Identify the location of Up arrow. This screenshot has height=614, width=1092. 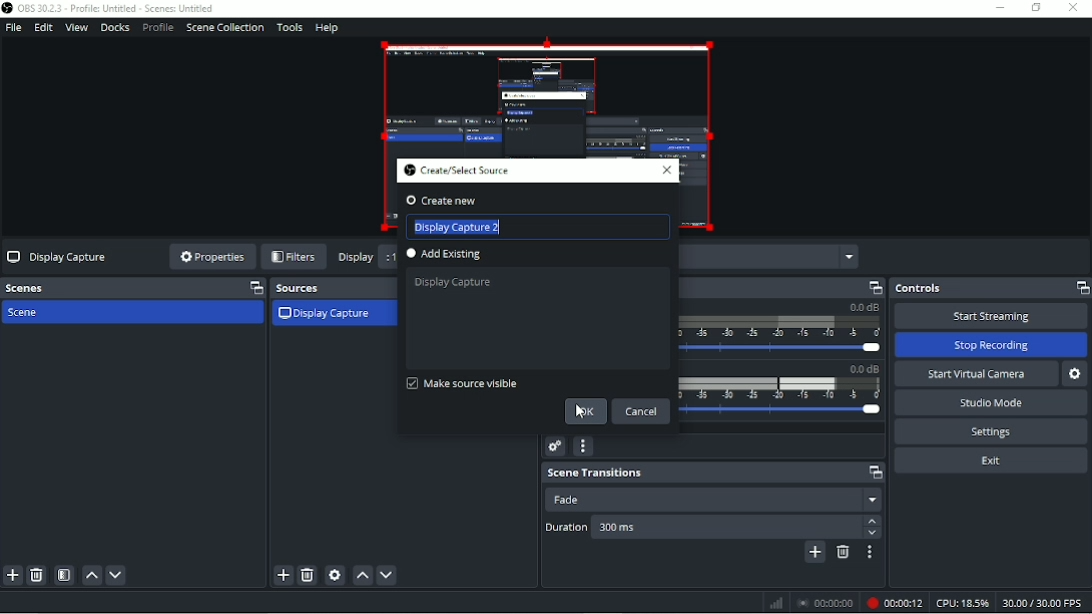
(872, 522).